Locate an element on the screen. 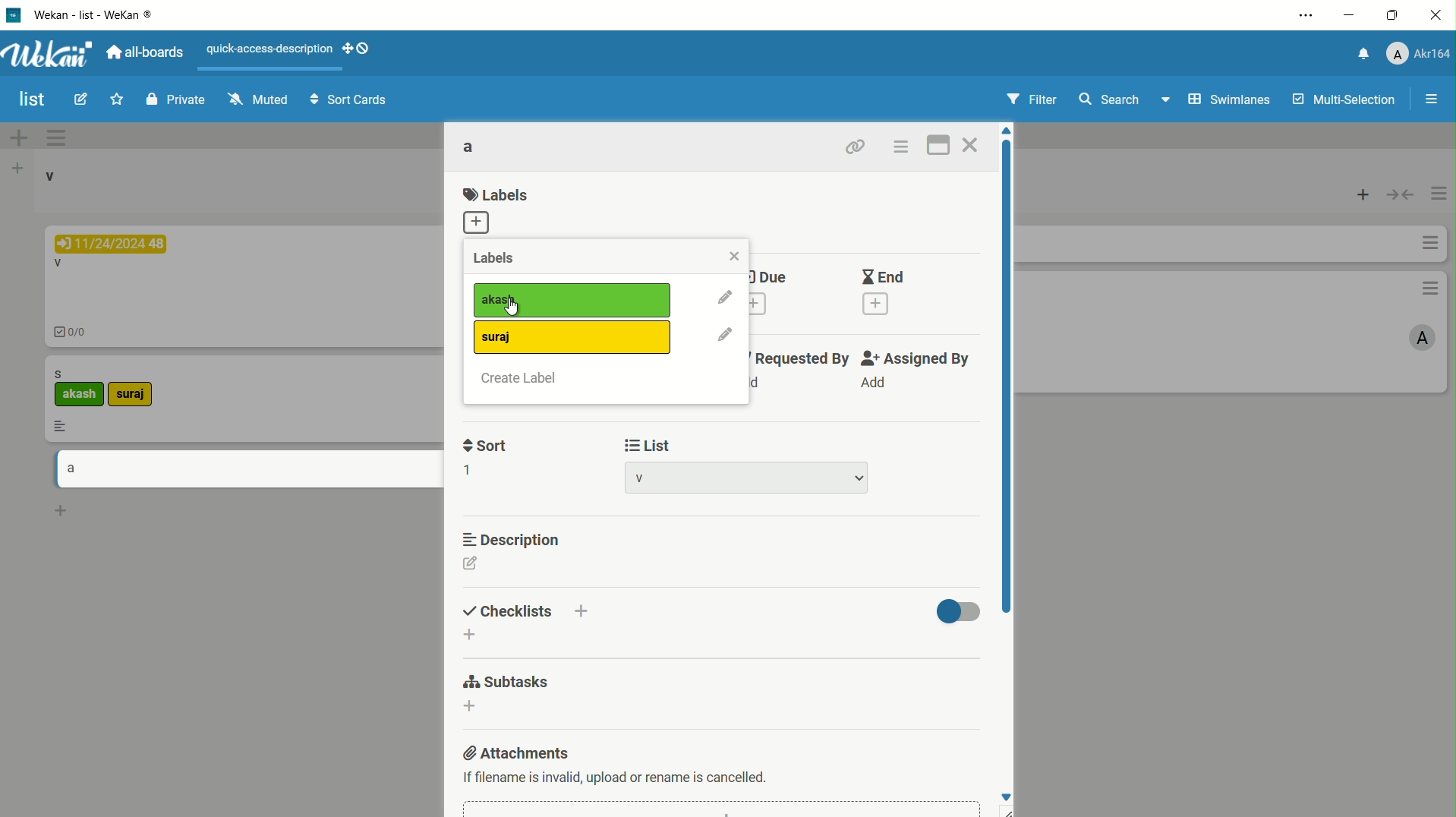 The image size is (1456, 817). move down is located at coordinates (1006, 794).